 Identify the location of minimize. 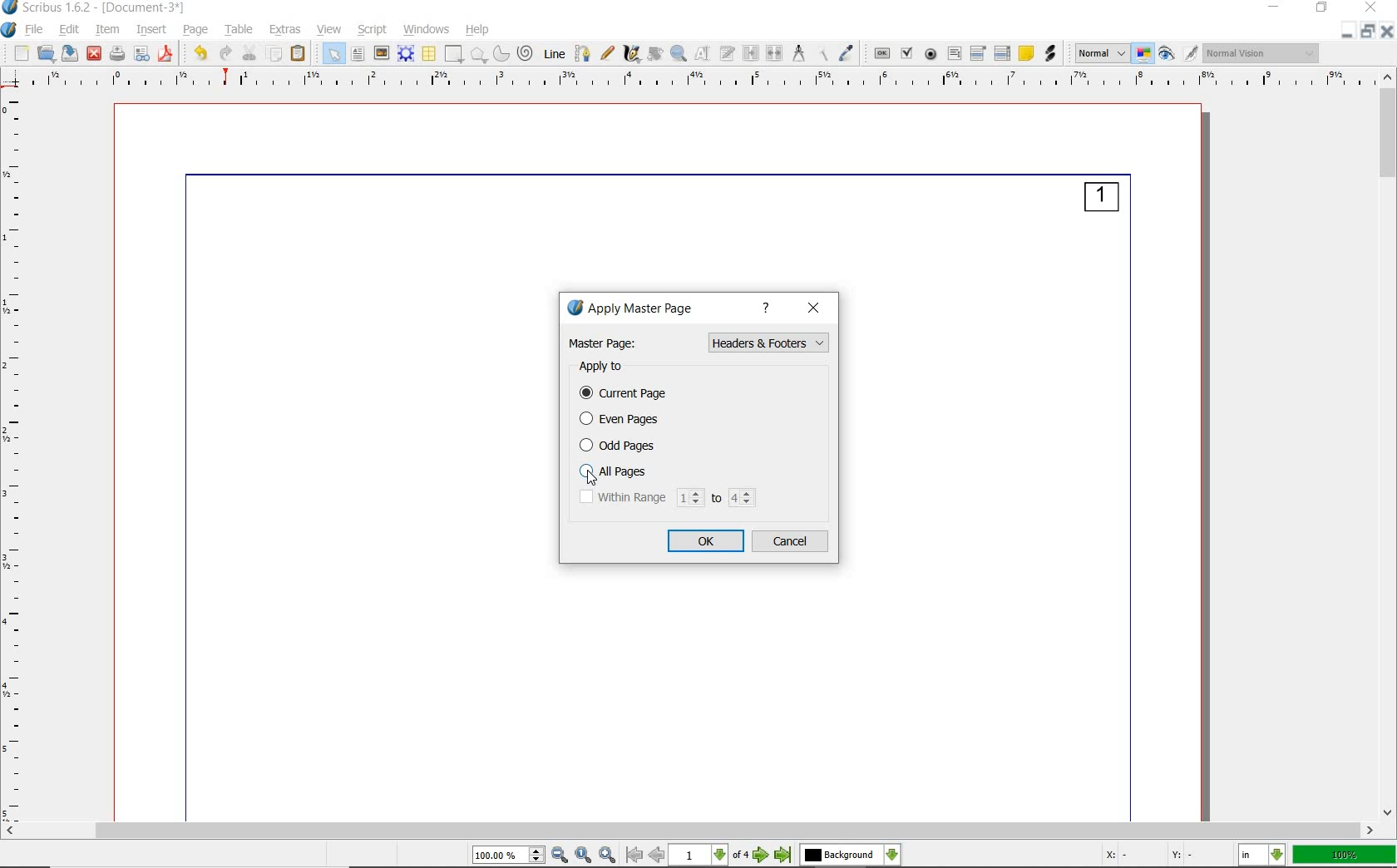
(1277, 7).